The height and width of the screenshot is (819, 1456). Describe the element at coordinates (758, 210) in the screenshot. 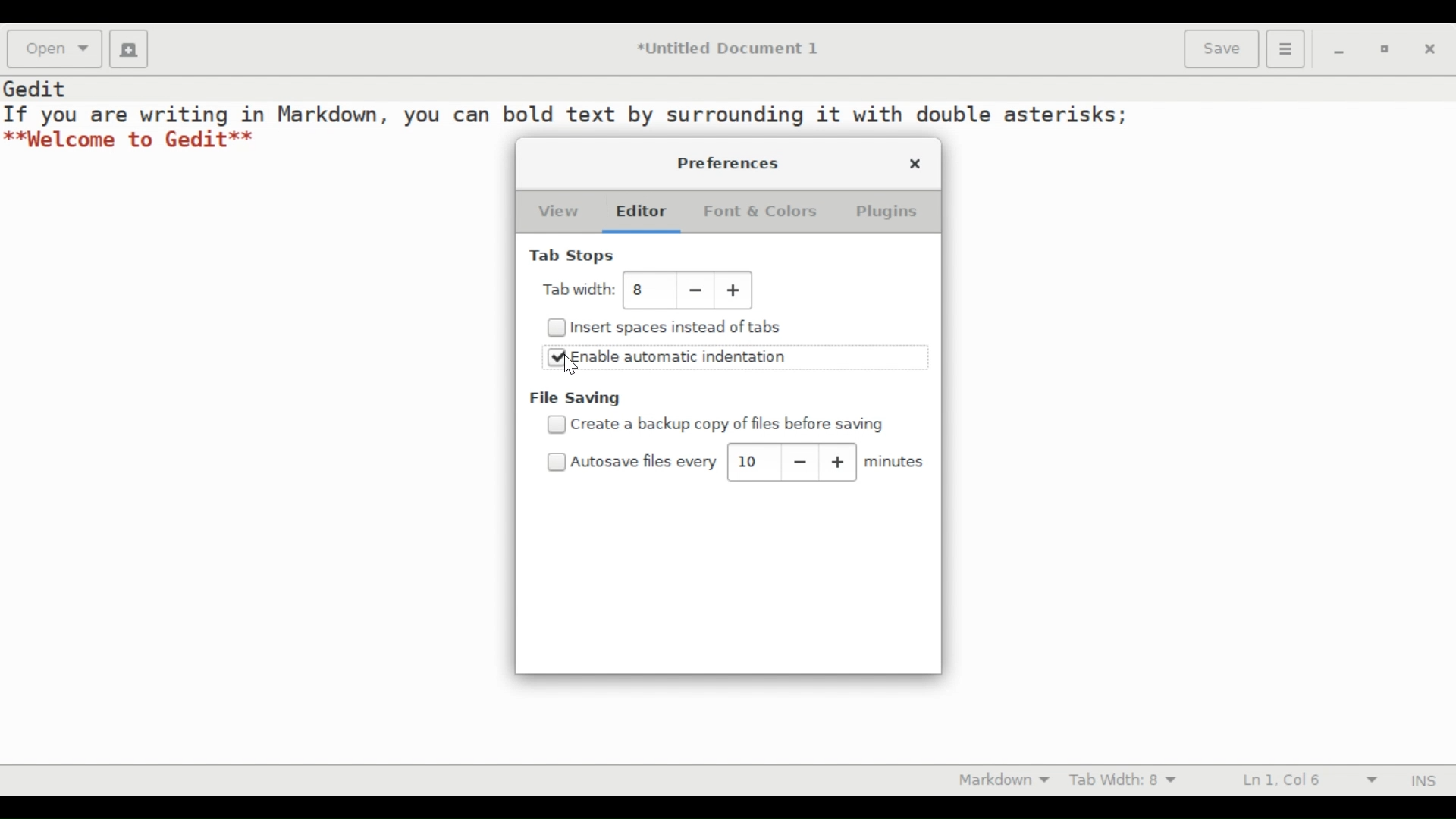

I see `Font & Colors` at that location.